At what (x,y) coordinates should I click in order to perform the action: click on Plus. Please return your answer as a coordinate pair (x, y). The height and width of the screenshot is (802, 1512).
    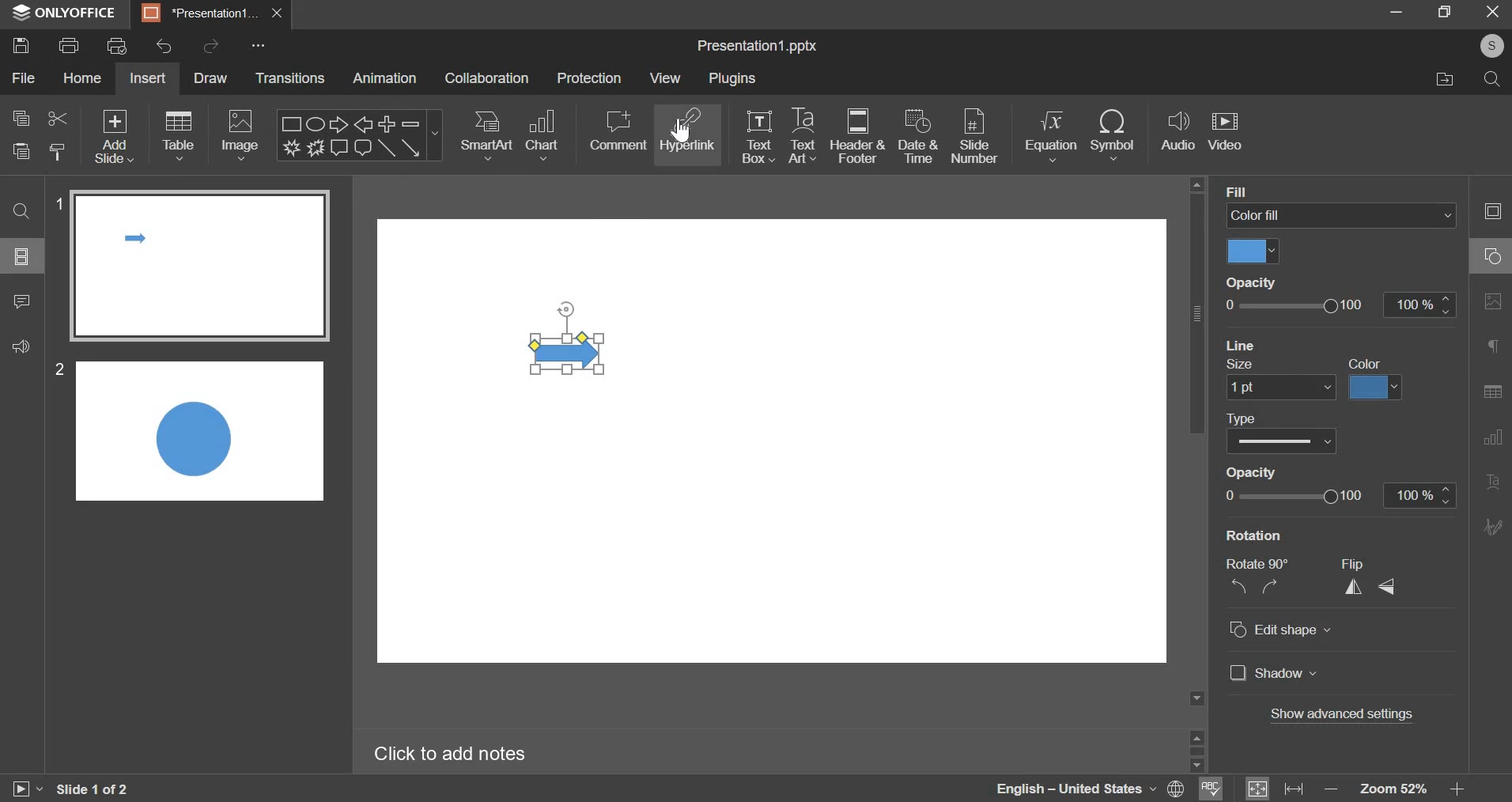
    Looking at the image, I should click on (387, 123).